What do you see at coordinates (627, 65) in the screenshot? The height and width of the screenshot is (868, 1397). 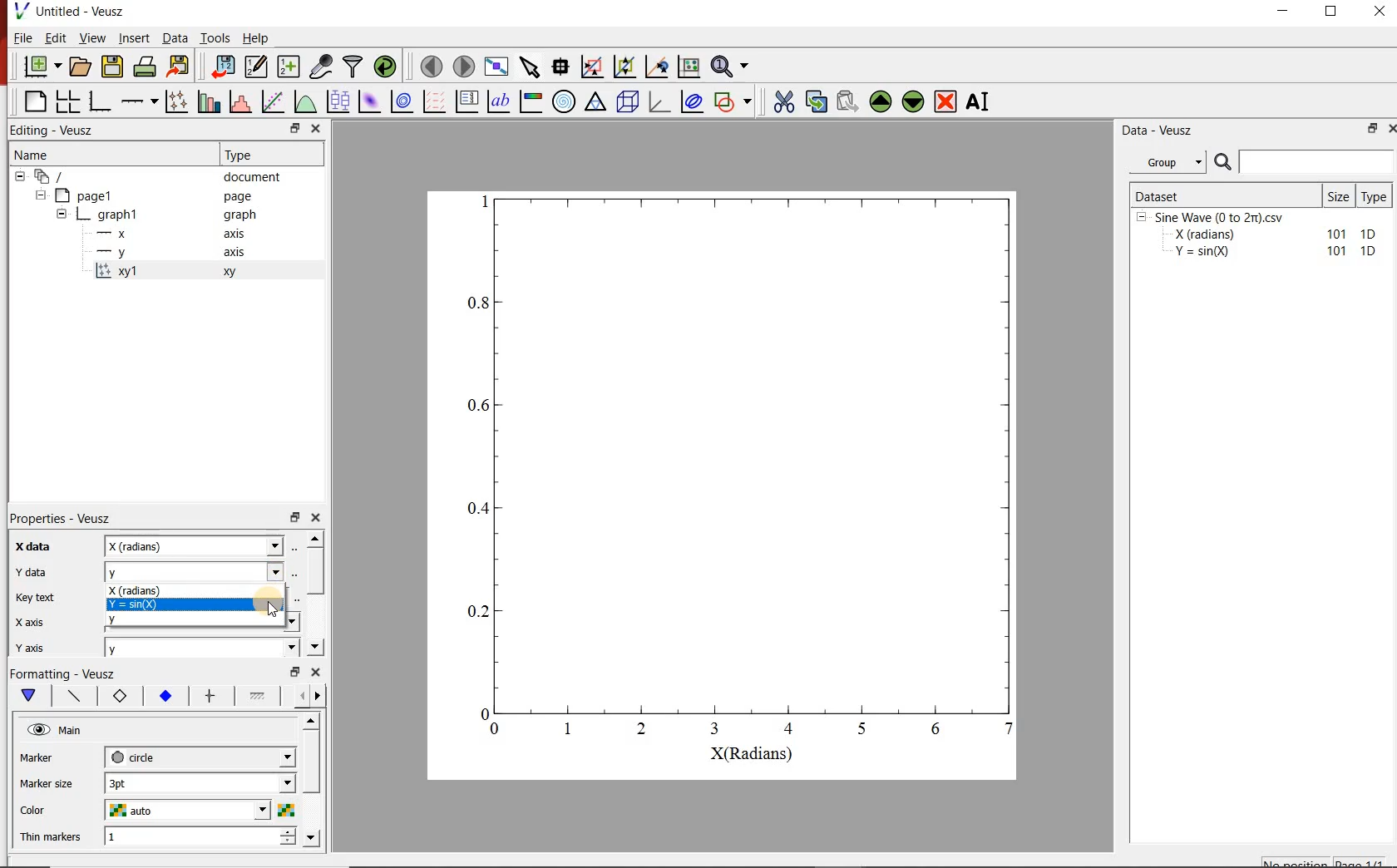 I see `click to zoom out` at bounding box center [627, 65].